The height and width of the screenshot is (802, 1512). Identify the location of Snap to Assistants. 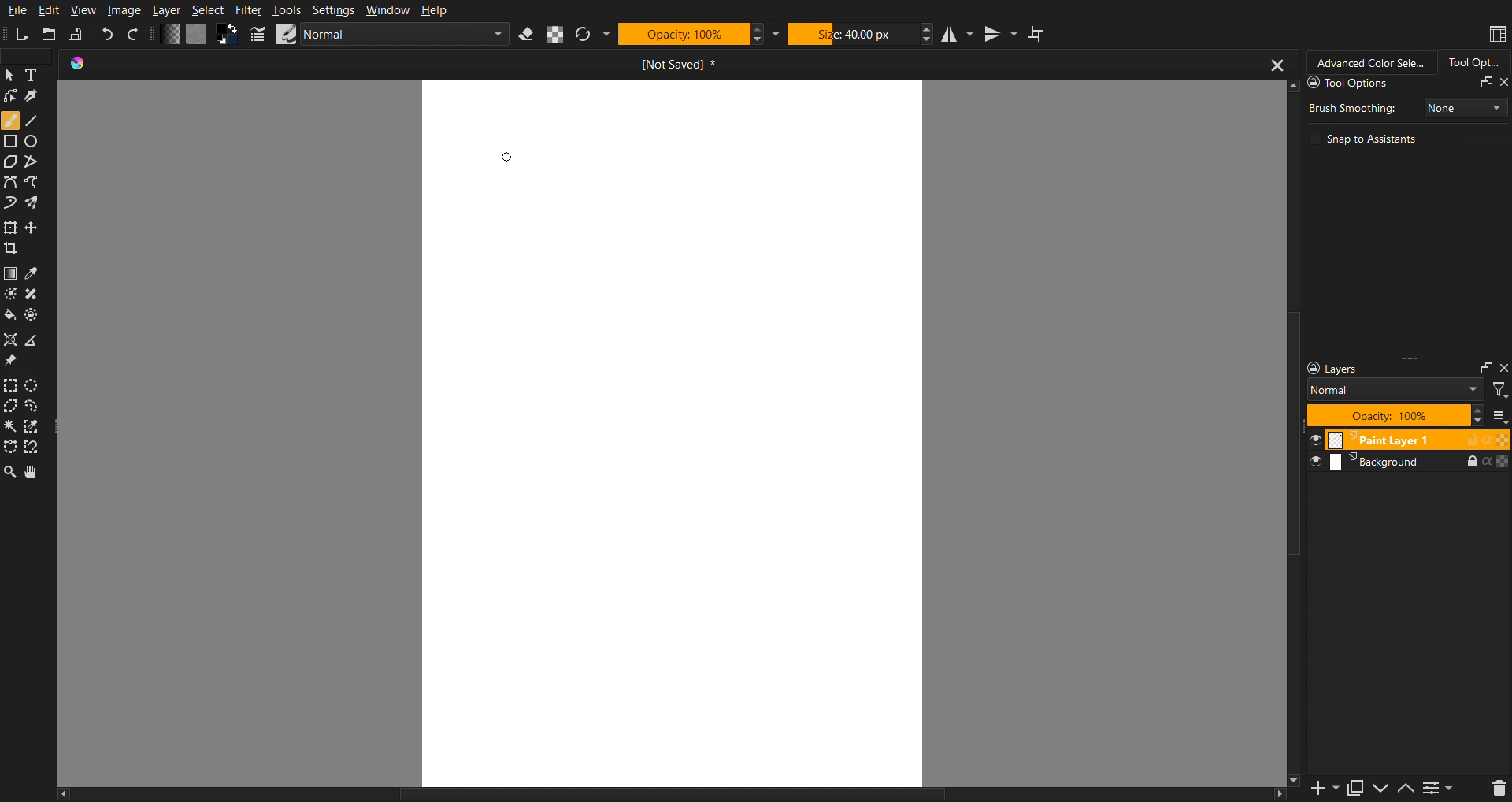
(1366, 138).